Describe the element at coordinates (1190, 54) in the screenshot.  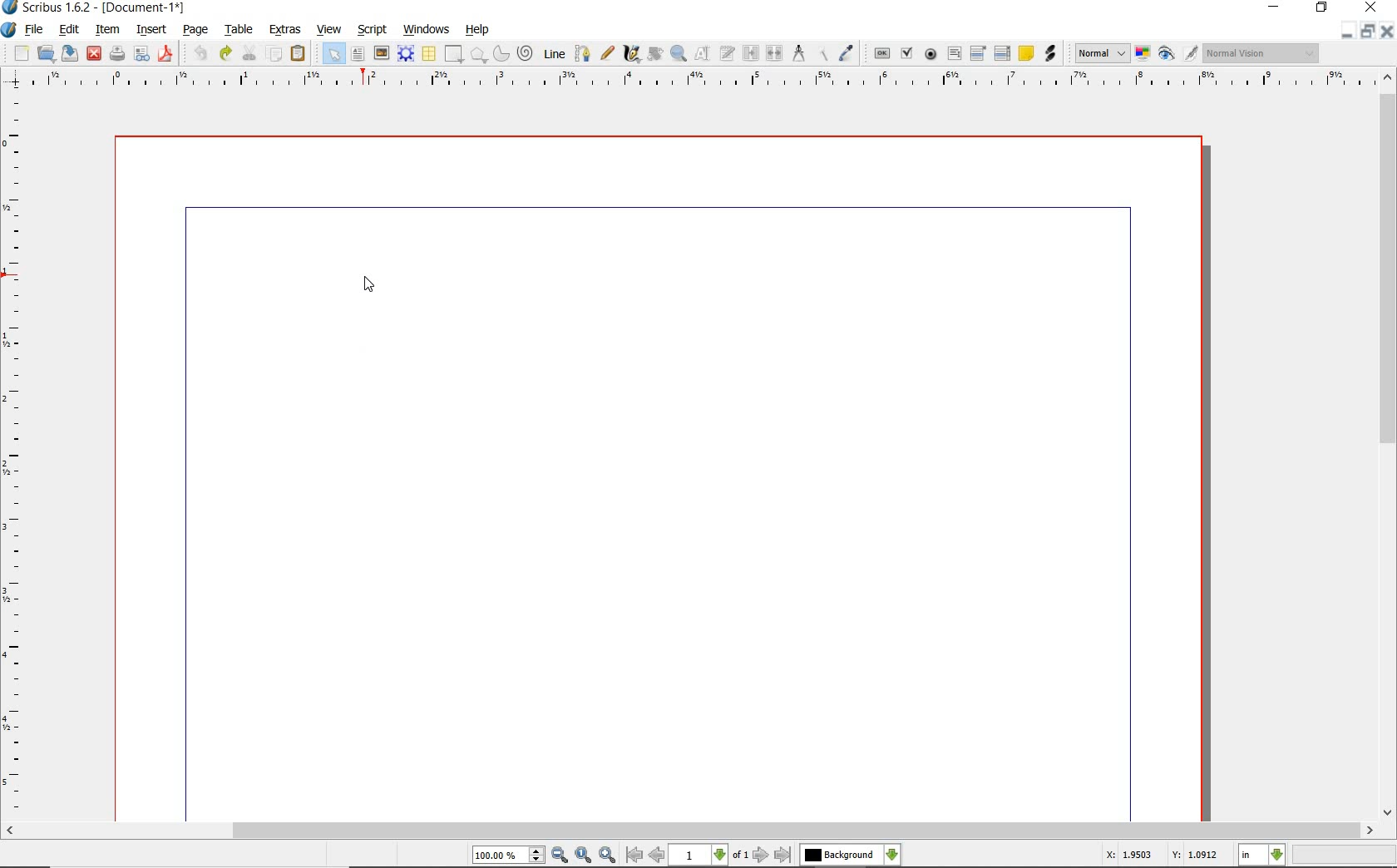
I see `edit in preview mode` at that location.